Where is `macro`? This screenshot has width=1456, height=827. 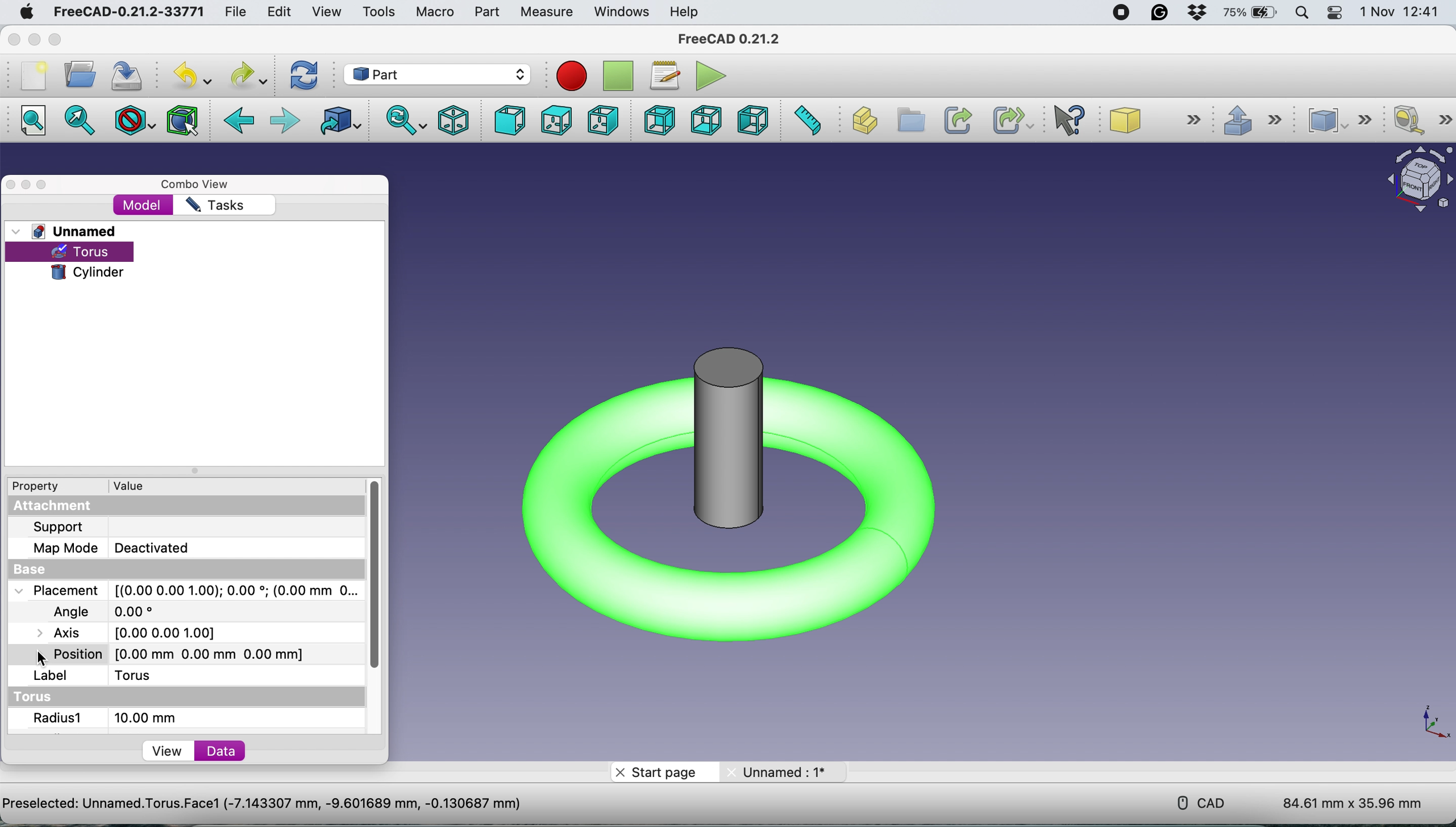 macro is located at coordinates (432, 12).